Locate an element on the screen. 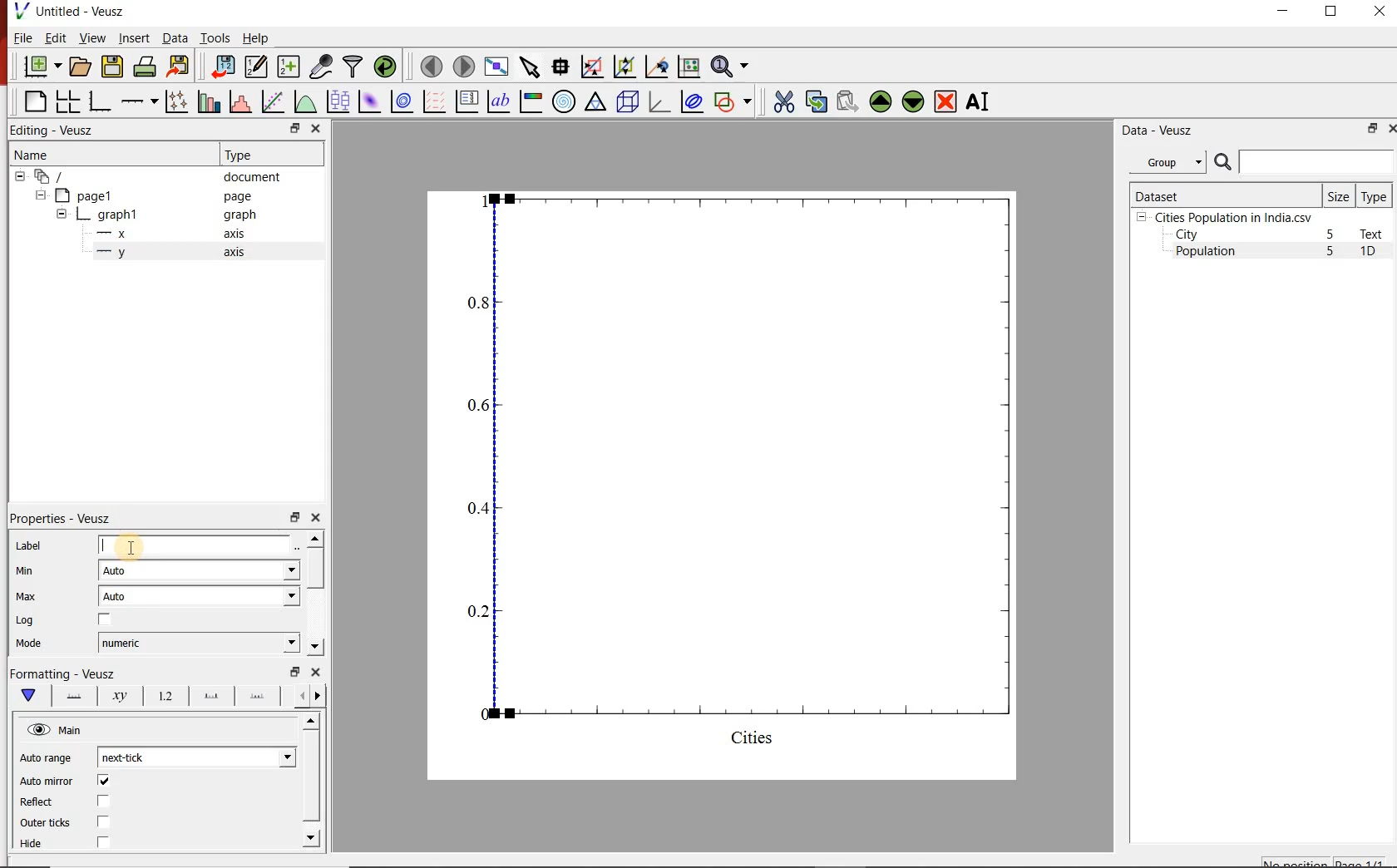 The width and height of the screenshot is (1397, 868). arrange graphs in a grid is located at coordinates (67, 101).